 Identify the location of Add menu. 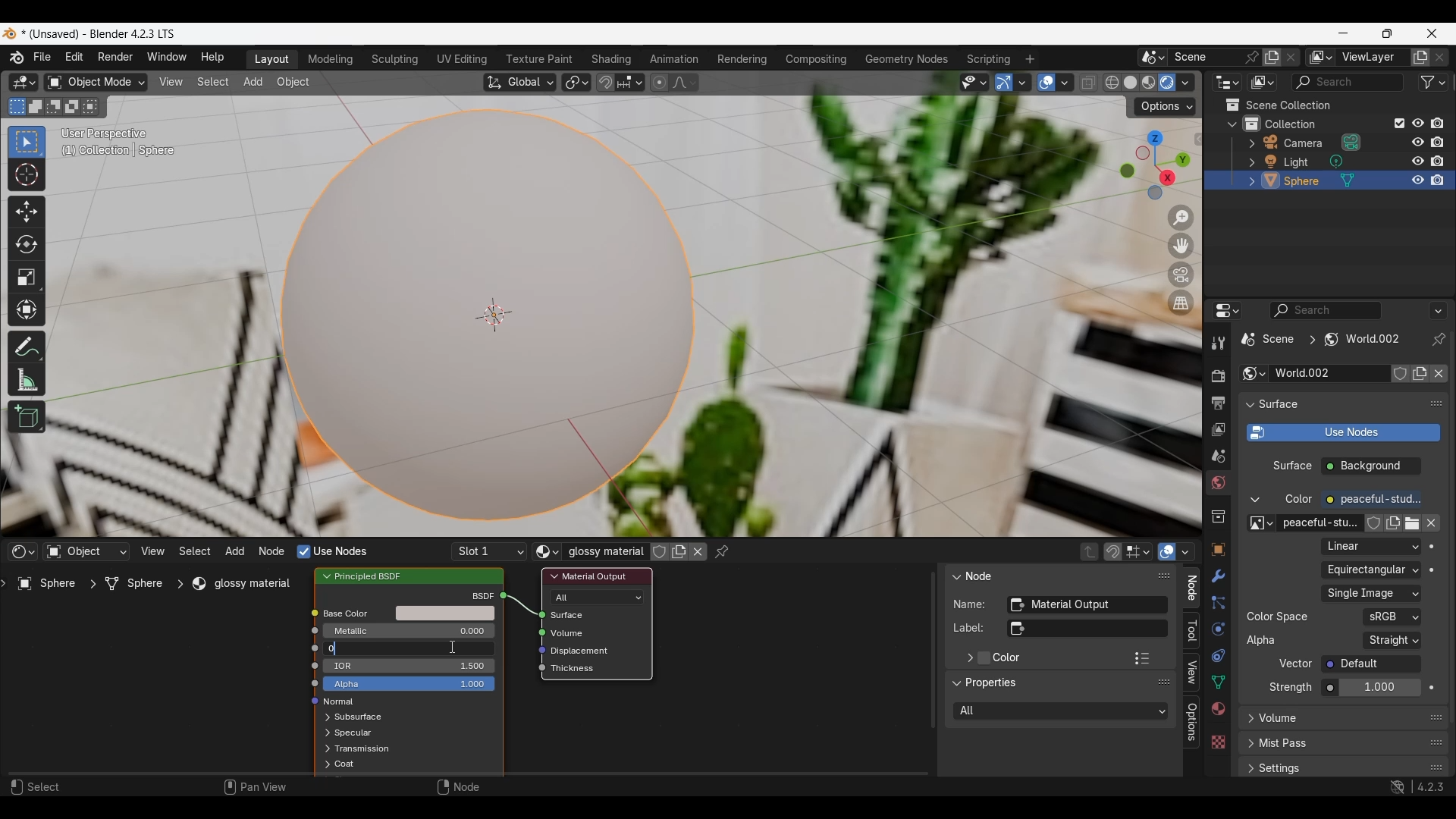
(234, 551).